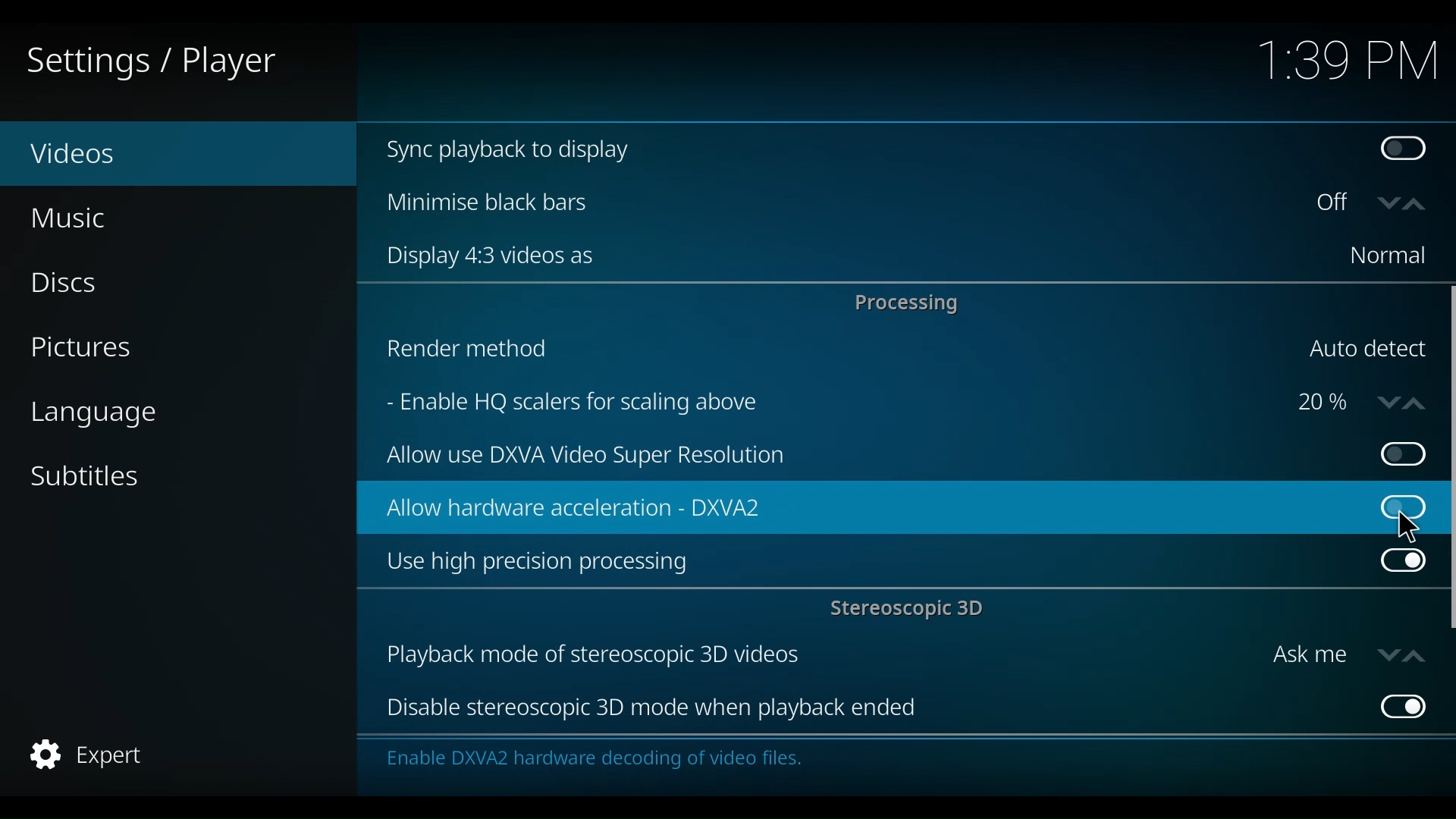  What do you see at coordinates (1384, 401) in the screenshot?
I see `down` at bounding box center [1384, 401].